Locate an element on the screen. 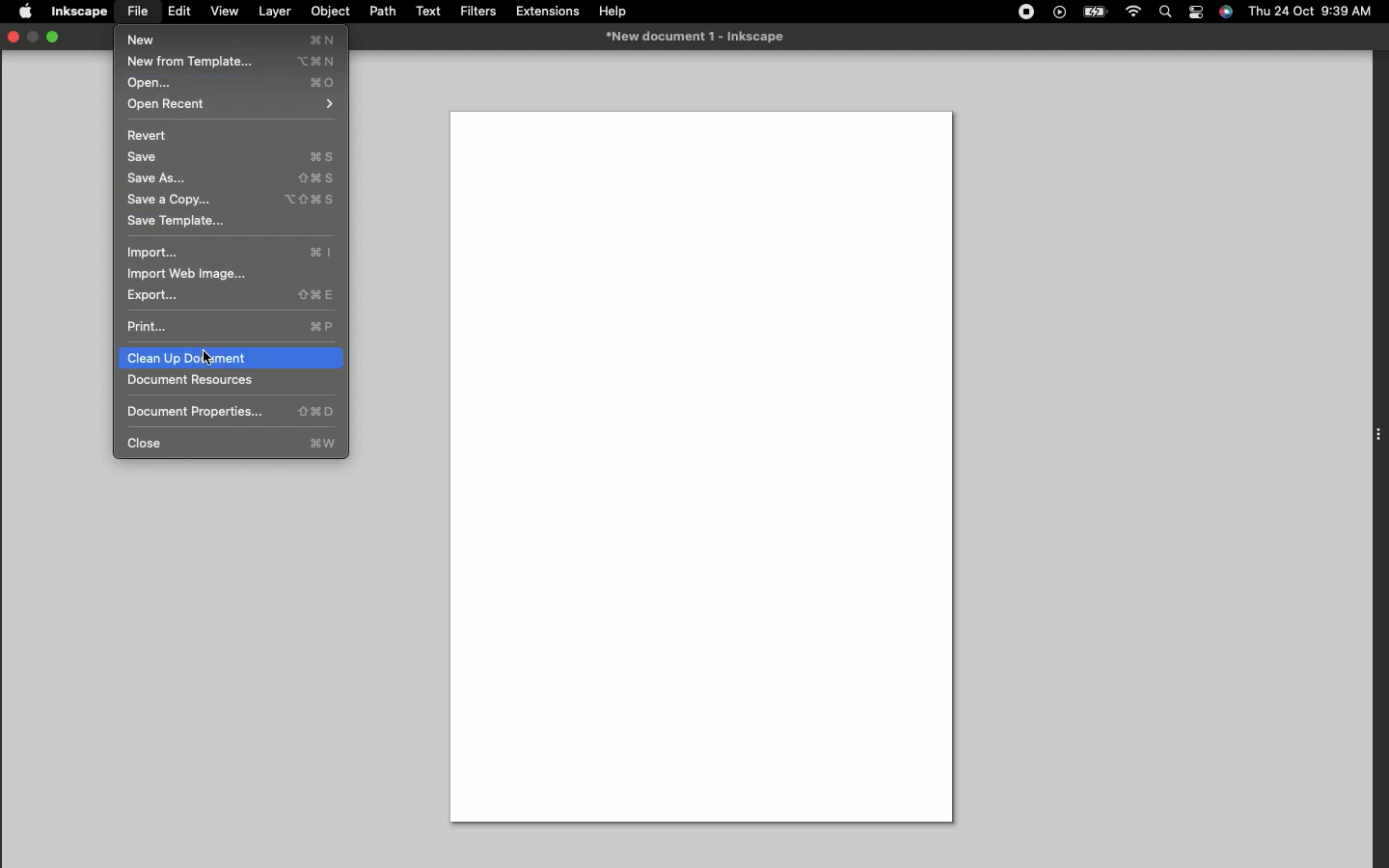 The image size is (1389, 868). Open recent is located at coordinates (232, 104).